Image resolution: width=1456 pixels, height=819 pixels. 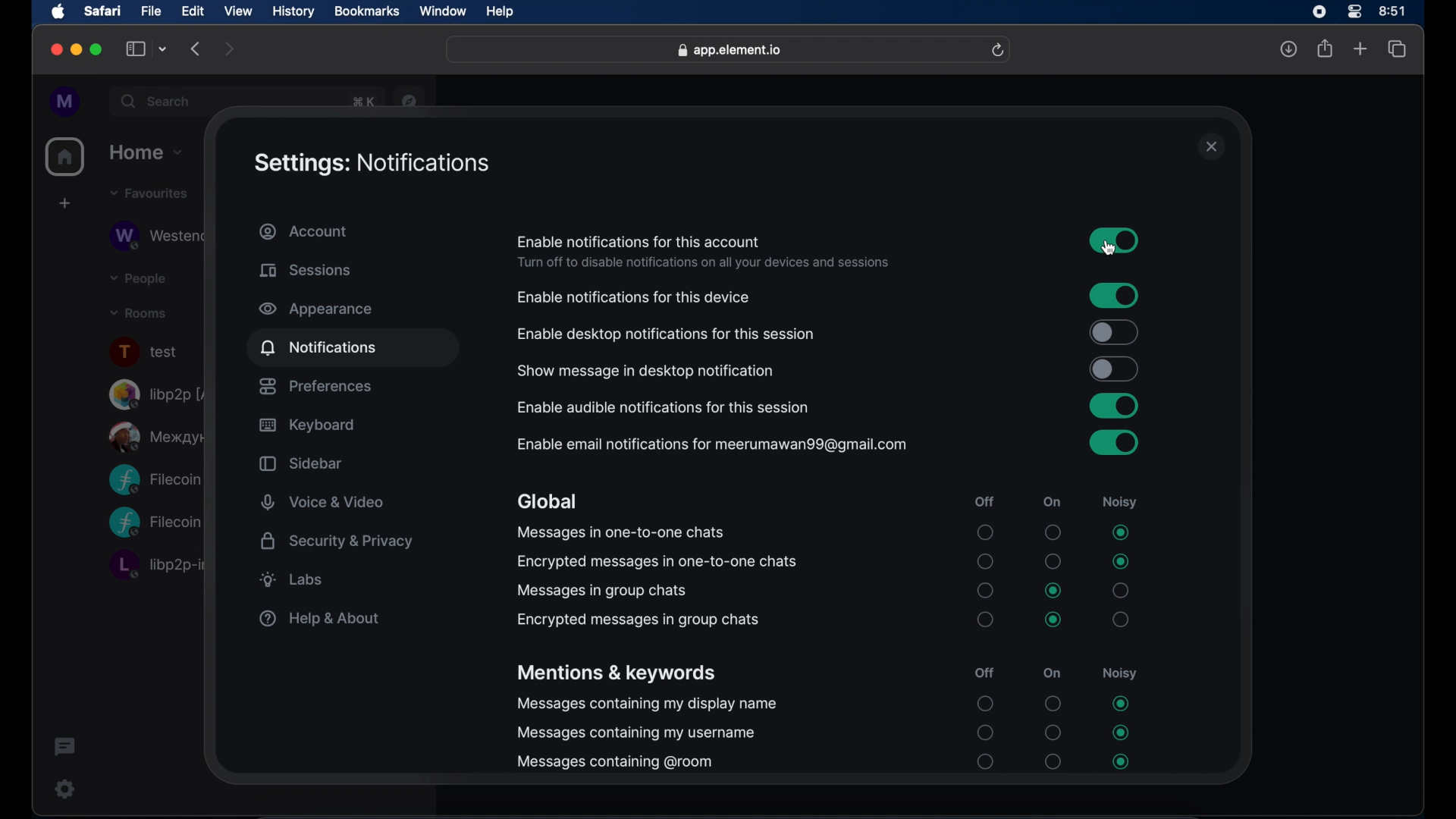 I want to click on apple icon, so click(x=58, y=12).